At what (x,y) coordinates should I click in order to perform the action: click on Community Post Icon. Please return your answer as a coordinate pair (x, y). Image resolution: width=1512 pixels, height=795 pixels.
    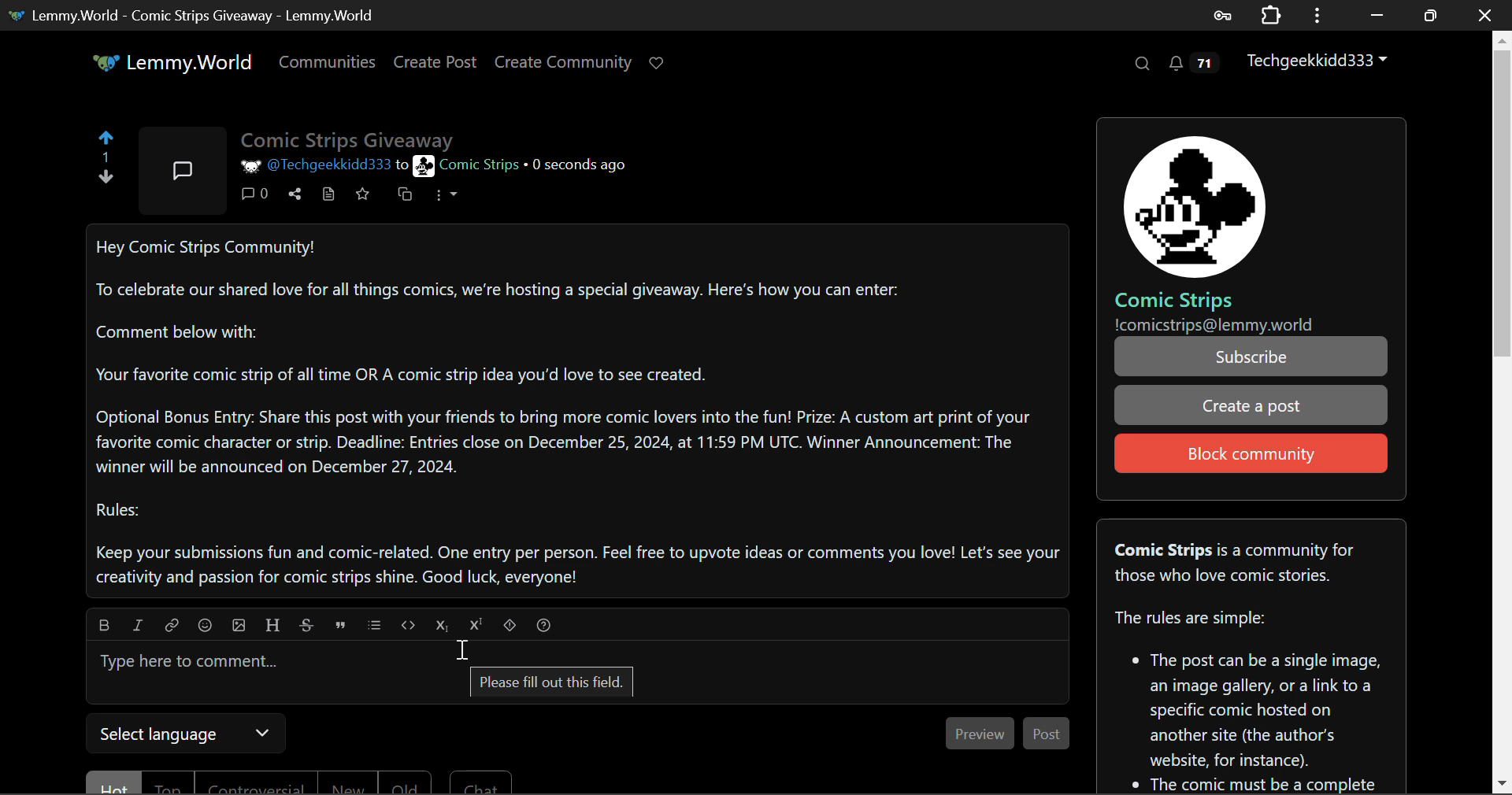
    Looking at the image, I should click on (185, 170).